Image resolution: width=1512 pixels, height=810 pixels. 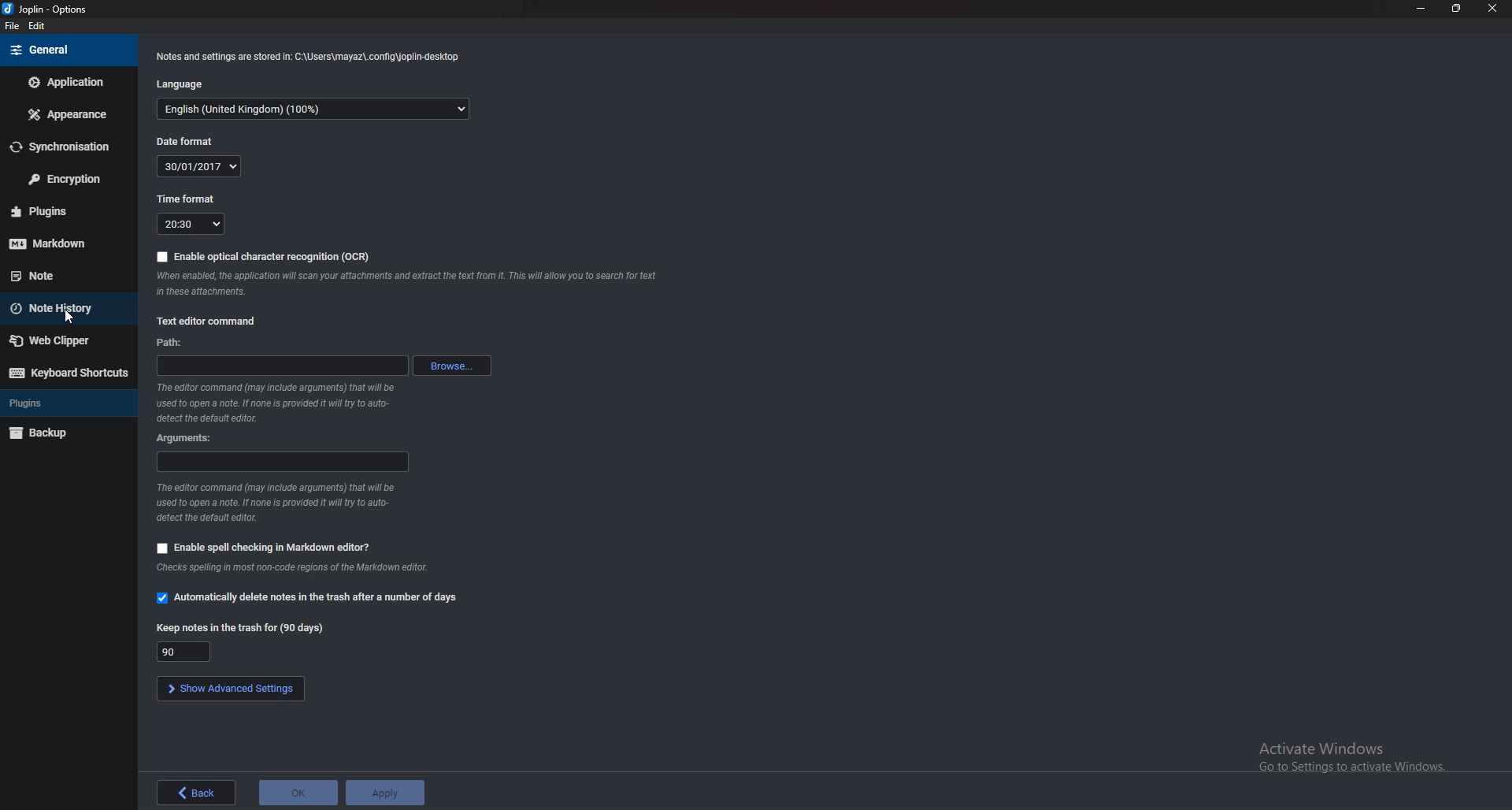 What do you see at coordinates (265, 257) in the screenshot?
I see `Enable O C R` at bounding box center [265, 257].